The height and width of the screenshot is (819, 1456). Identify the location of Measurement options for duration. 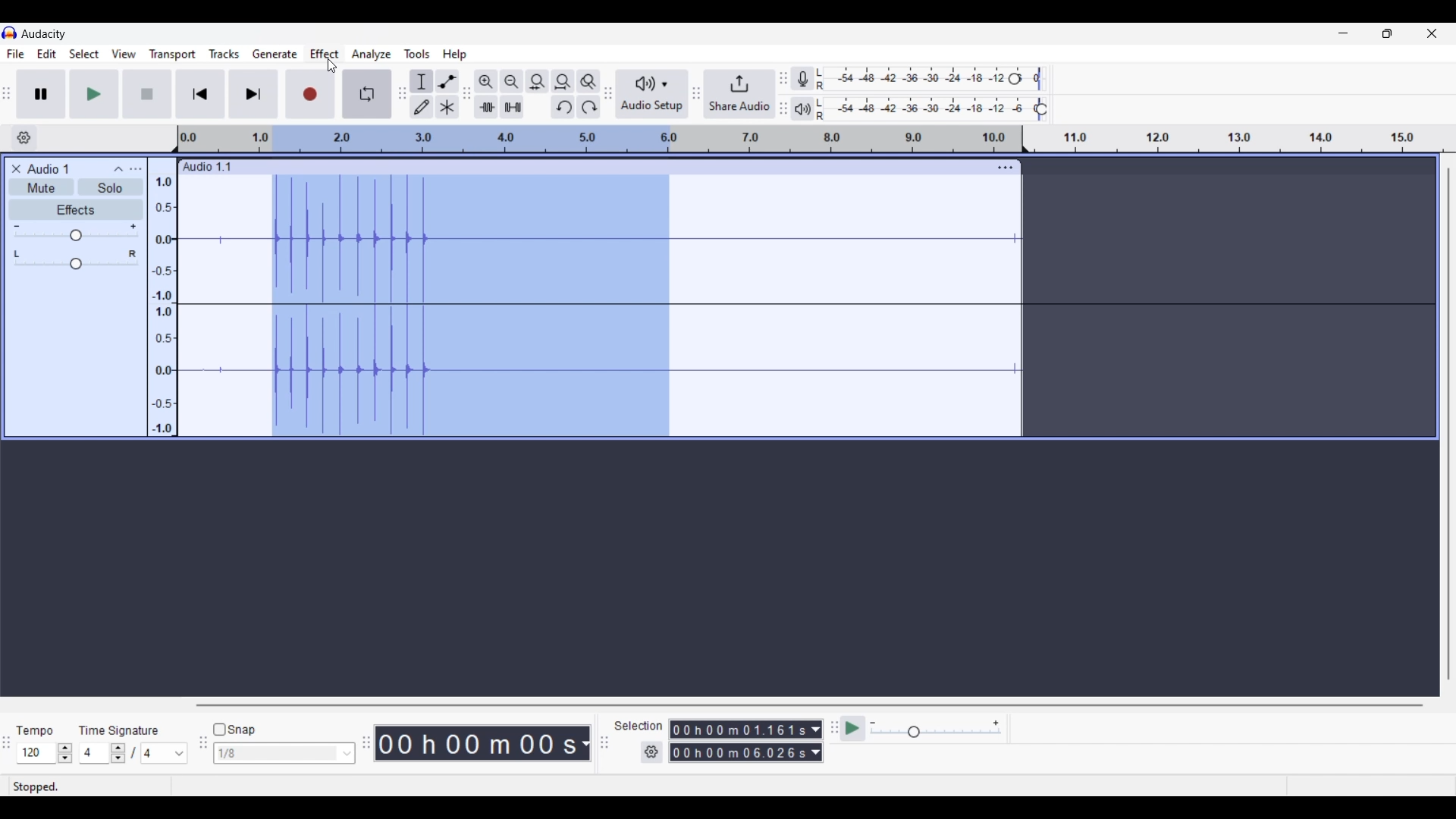
(584, 744).